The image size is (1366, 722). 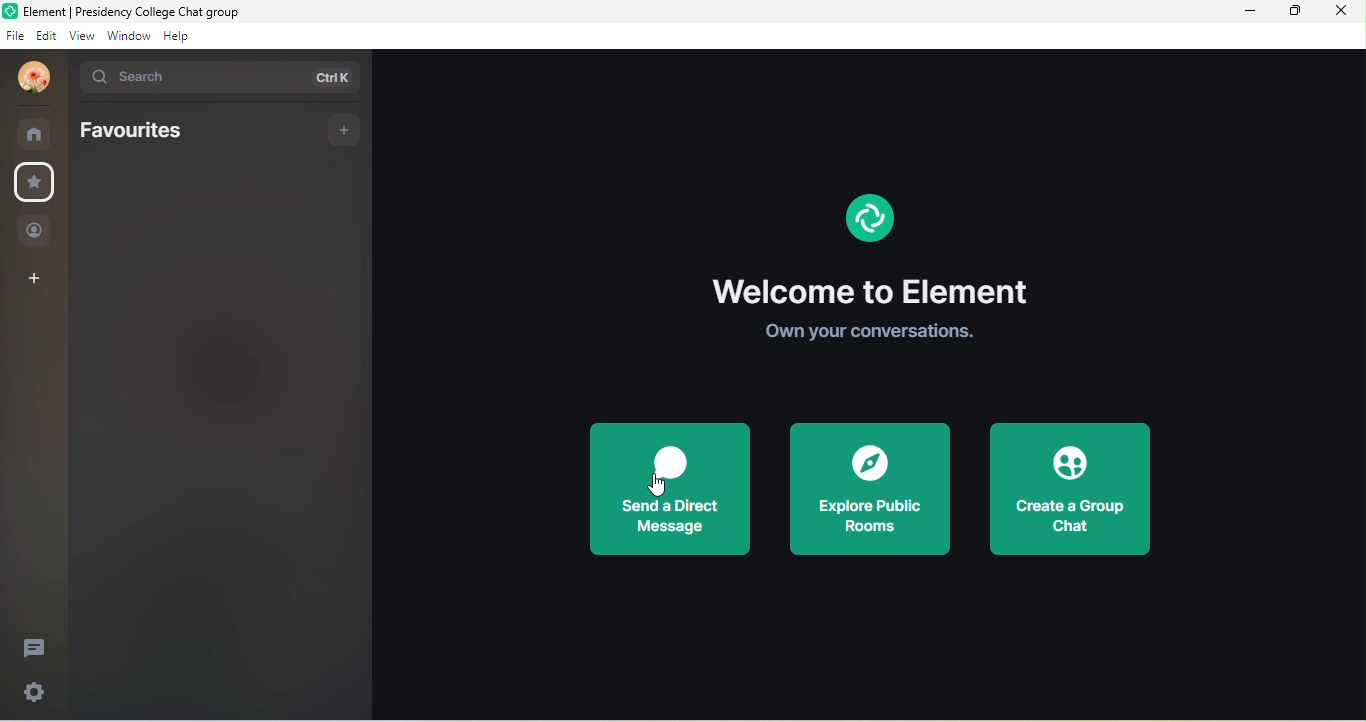 I want to click on create a space, so click(x=35, y=279).